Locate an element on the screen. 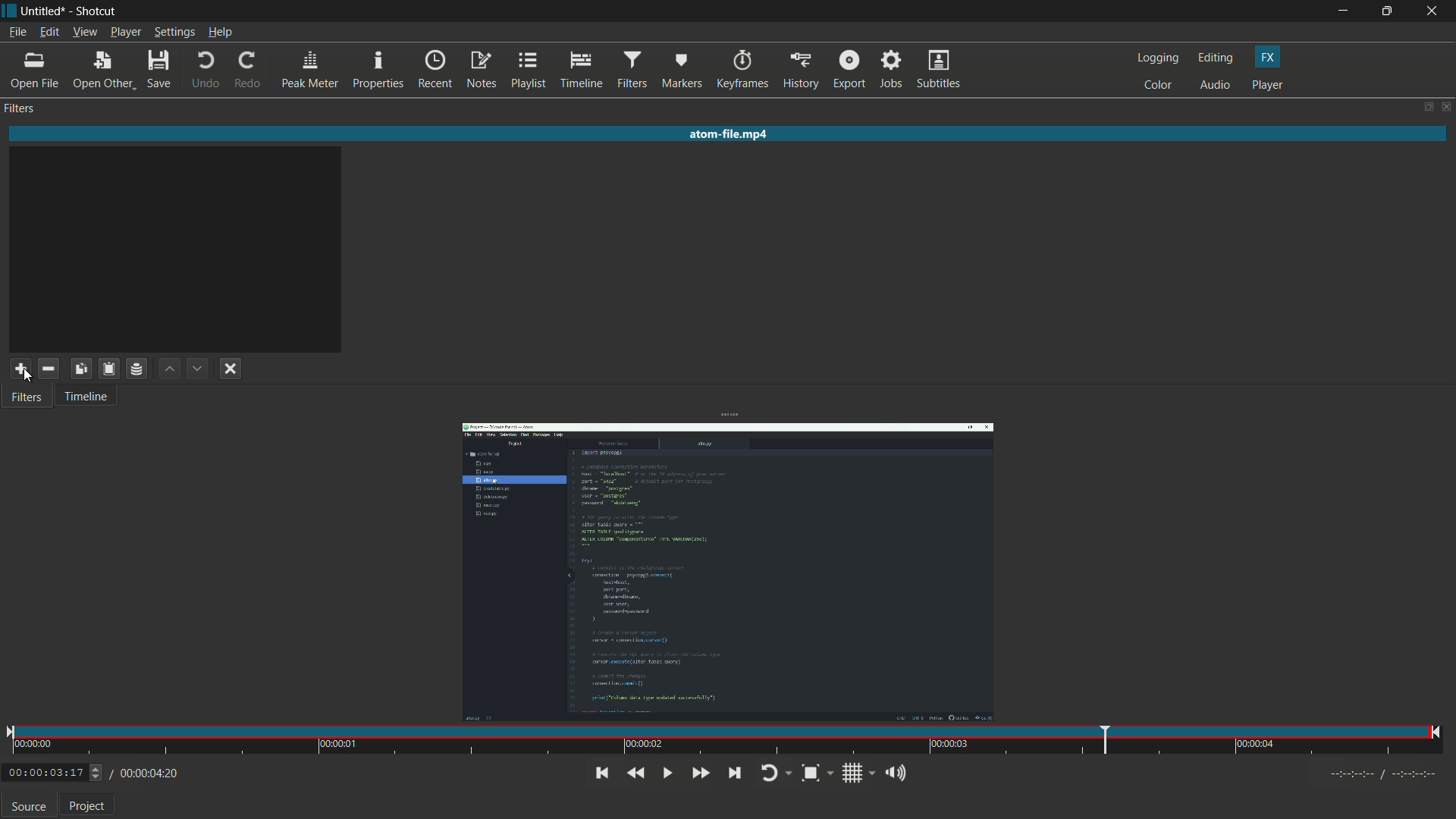  file menu is located at coordinates (17, 32).